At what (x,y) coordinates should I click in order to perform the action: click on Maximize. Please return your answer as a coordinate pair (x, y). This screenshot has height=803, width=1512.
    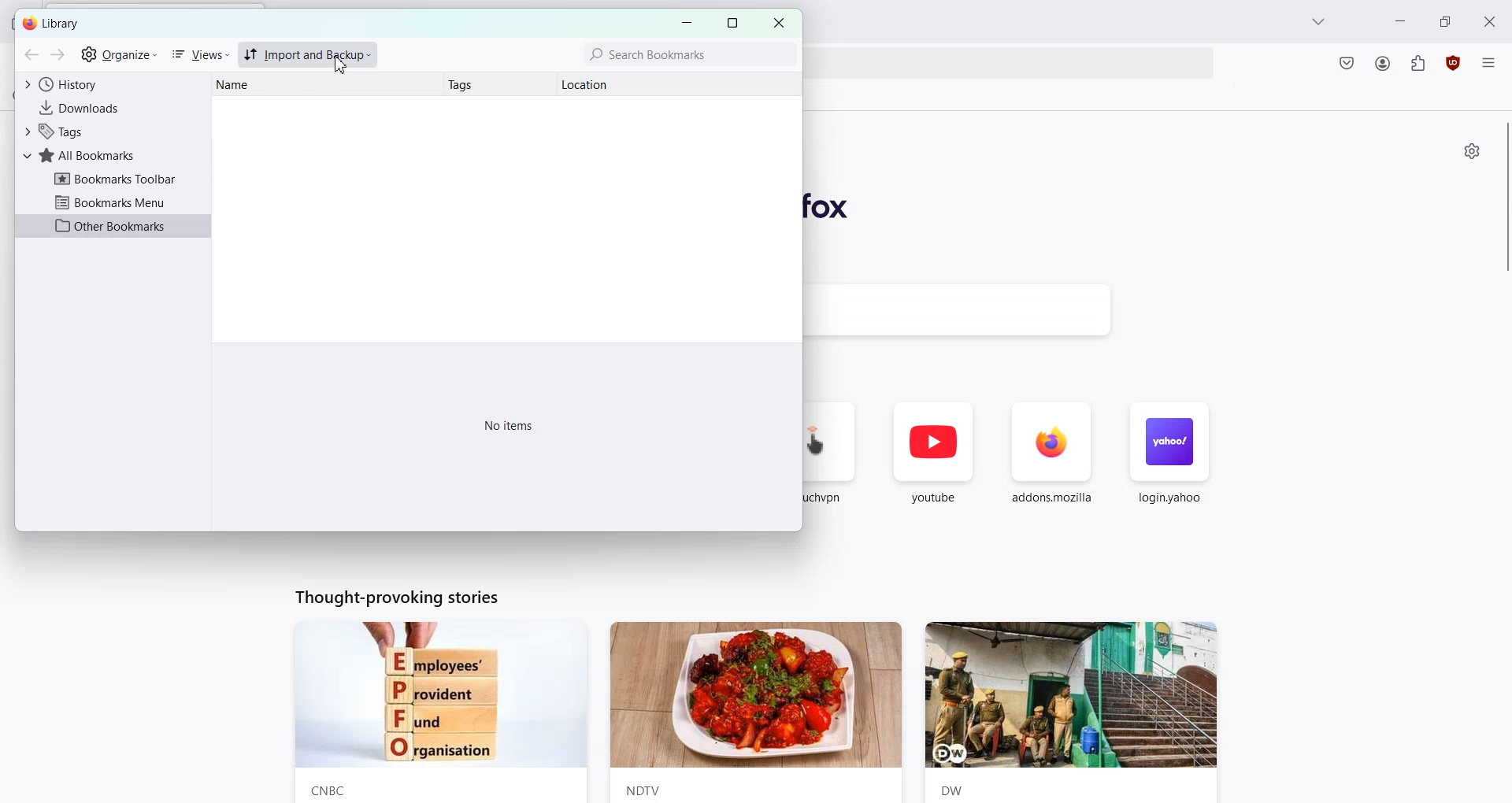
    Looking at the image, I should click on (1444, 20).